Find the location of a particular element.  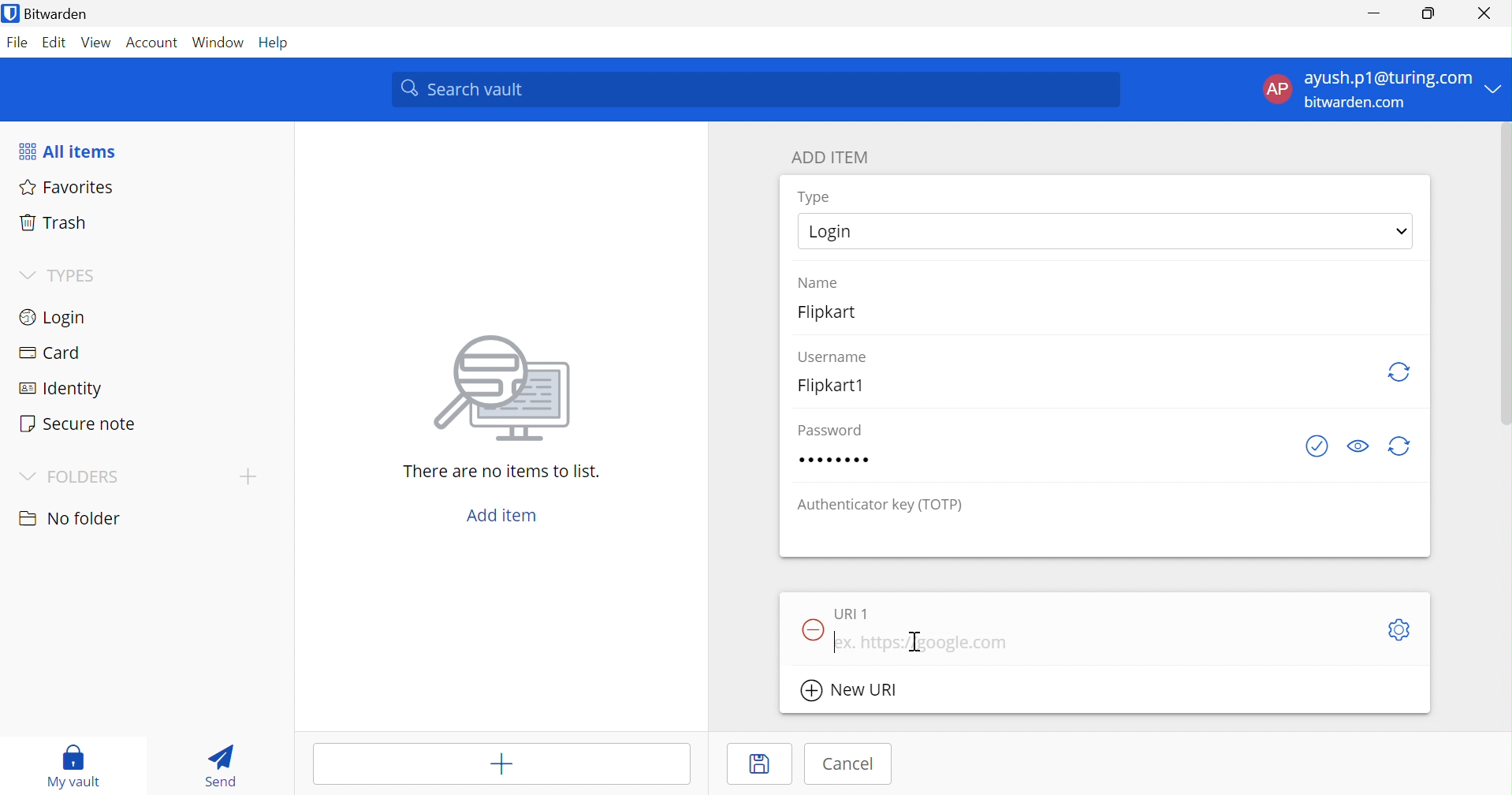

Password is located at coordinates (826, 429).